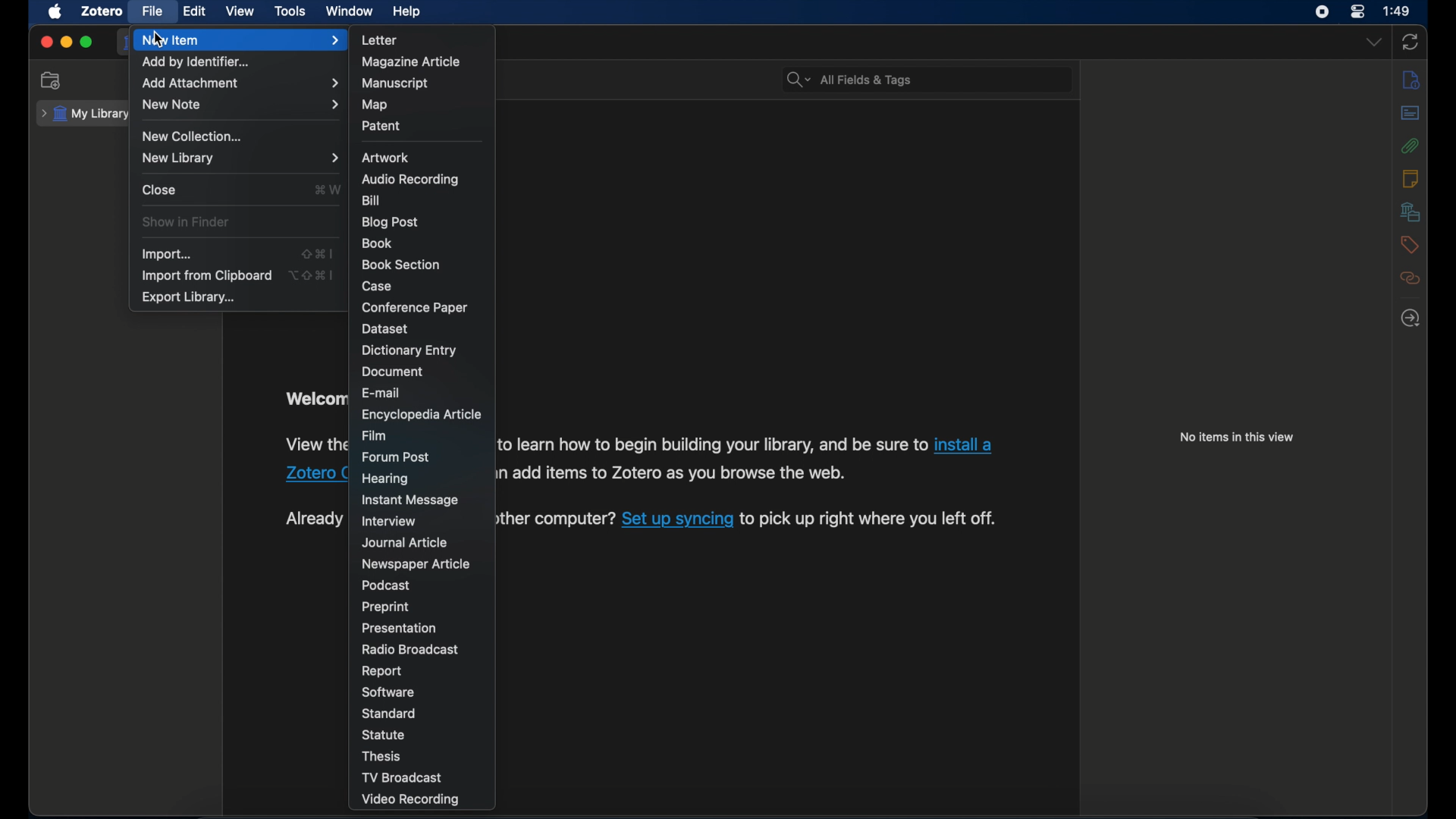 The width and height of the screenshot is (1456, 819). I want to click on add by identifier, so click(196, 62).